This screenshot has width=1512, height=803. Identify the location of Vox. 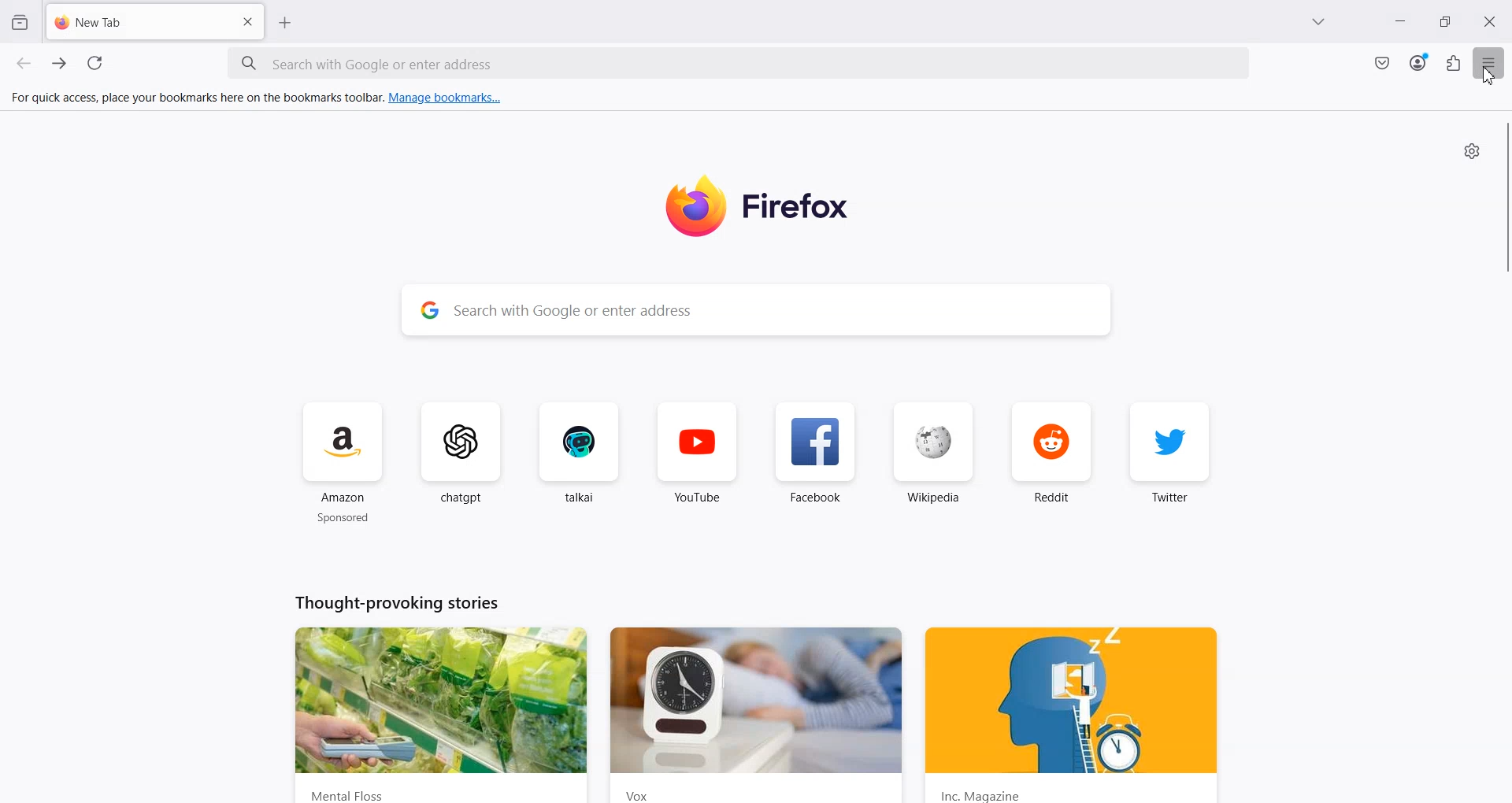
(752, 713).